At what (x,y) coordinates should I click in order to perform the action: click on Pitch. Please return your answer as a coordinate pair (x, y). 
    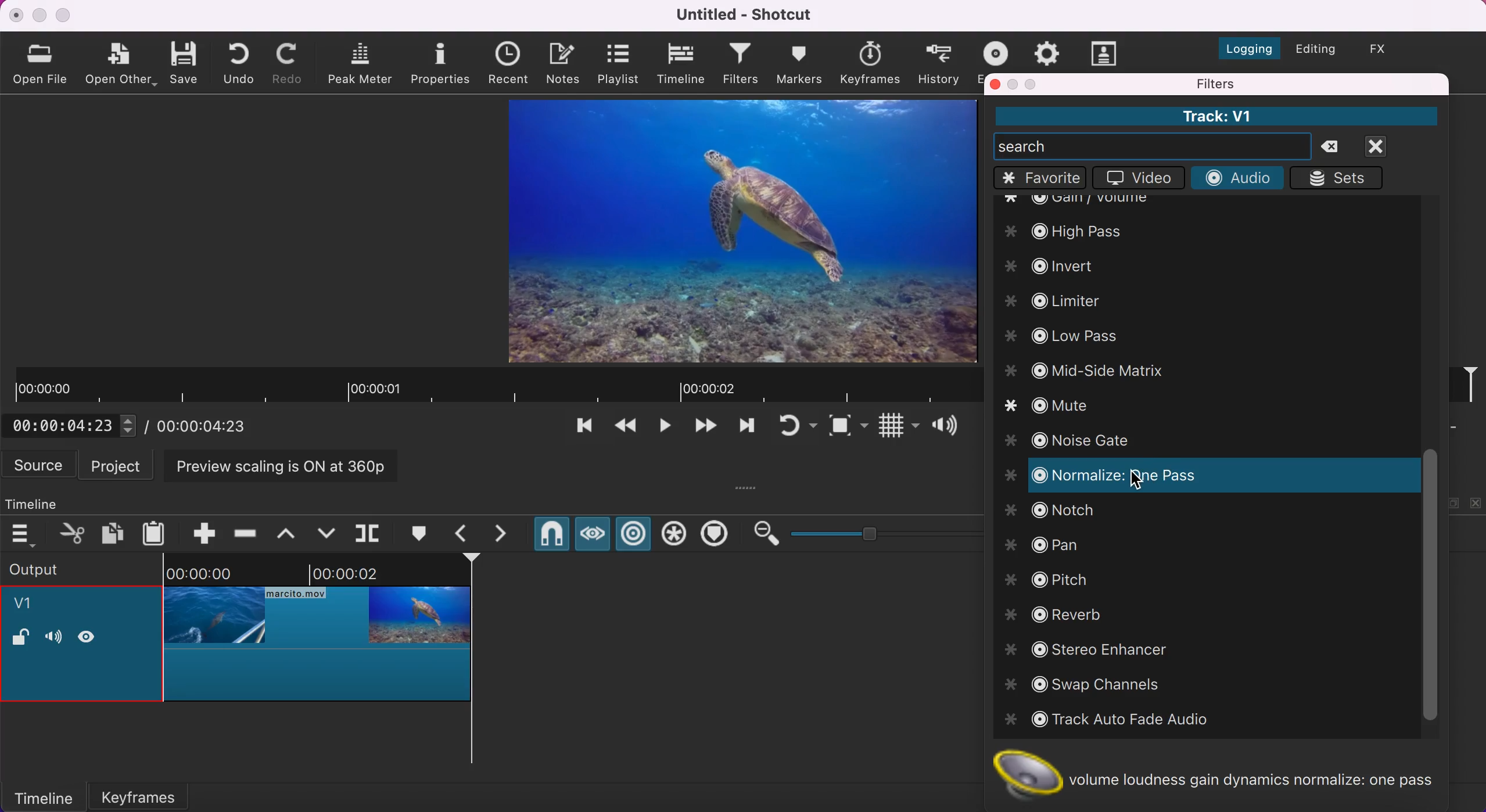
    Looking at the image, I should click on (1048, 577).